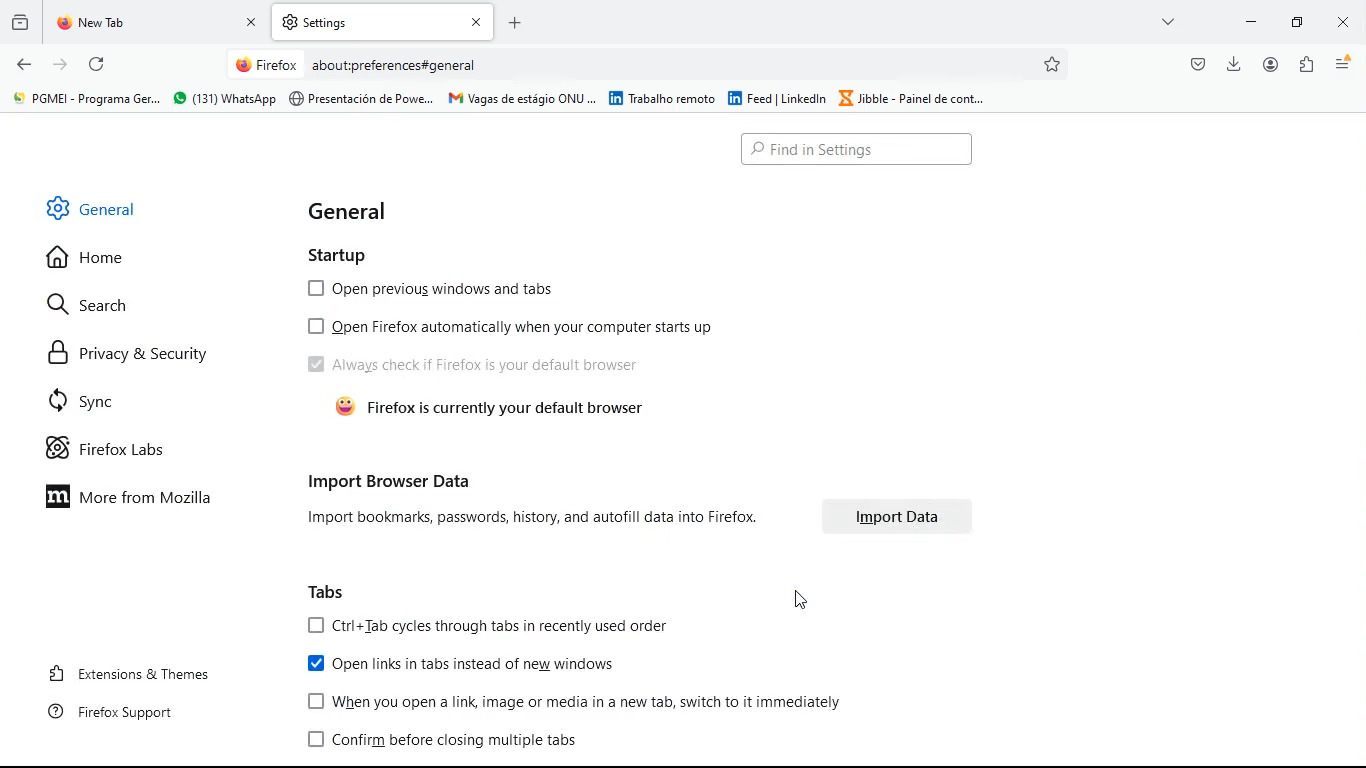 The image size is (1366, 768). What do you see at coordinates (355, 211) in the screenshot?
I see `general` at bounding box center [355, 211].